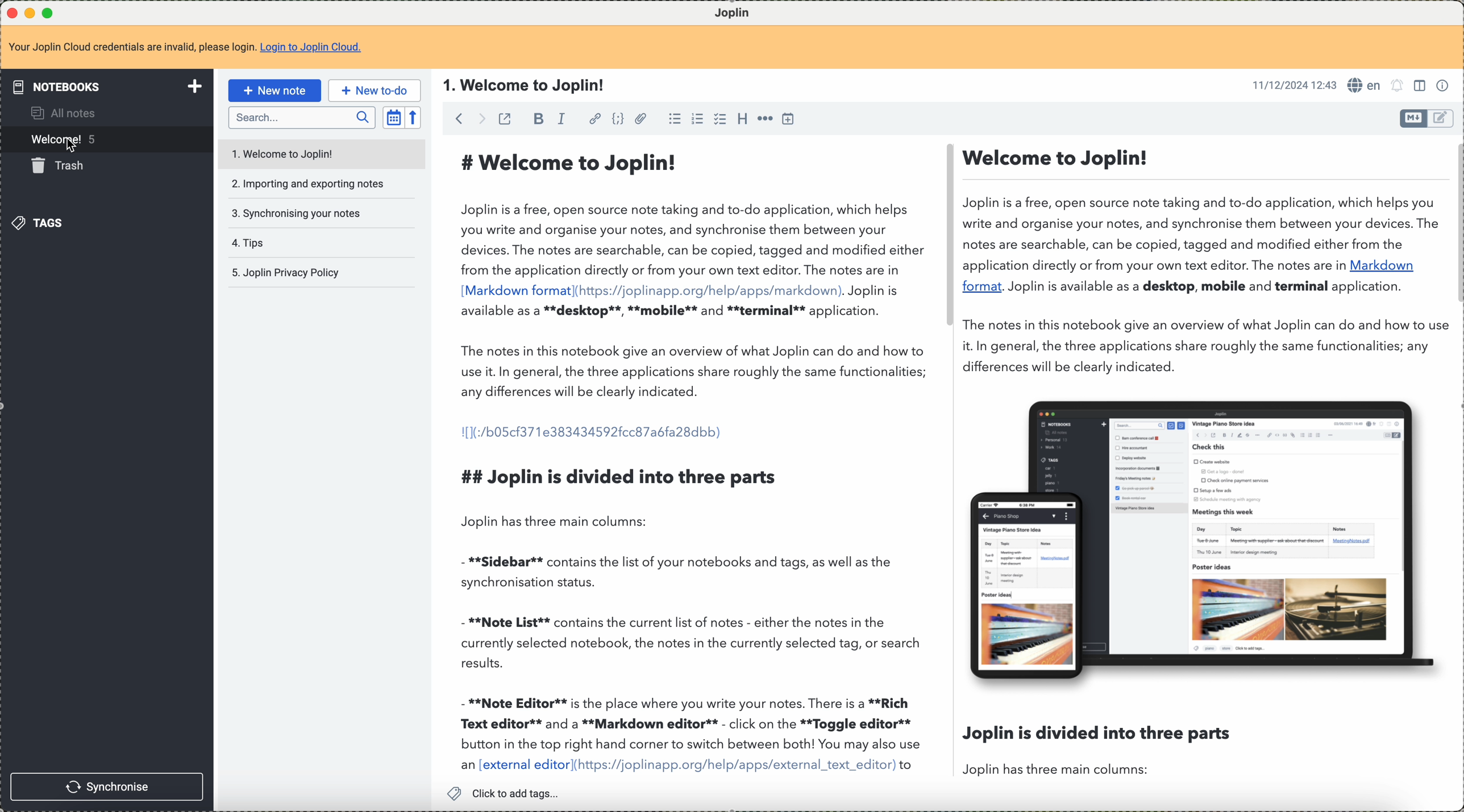 The height and width of the screenshot is (812, 1464). Describe the element at coordinates (481, 118) in the screenshot. I see `navigate foward` at that location.